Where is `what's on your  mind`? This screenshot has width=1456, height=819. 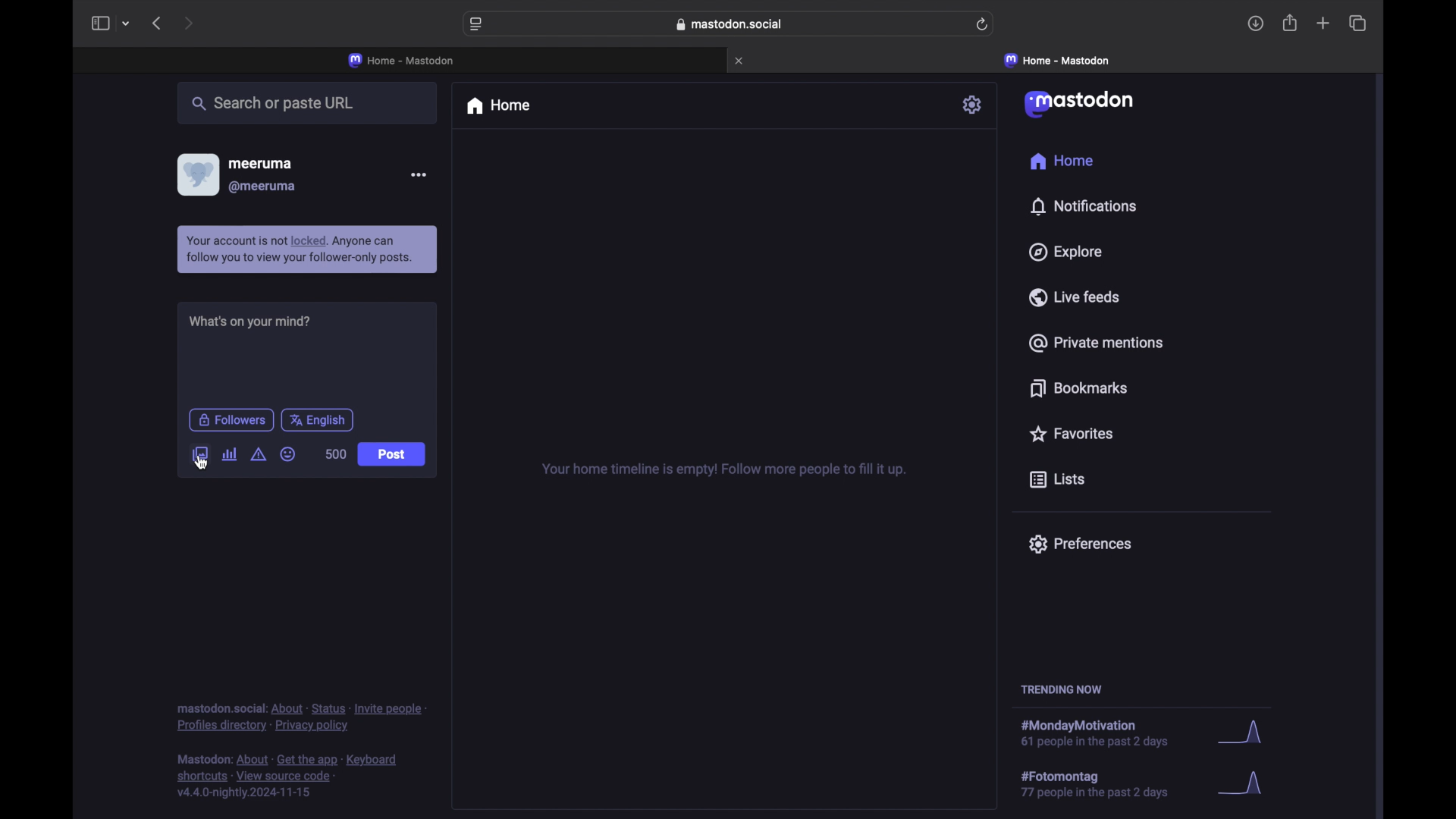
what's on your  mind is located at coordinates (249, 322).